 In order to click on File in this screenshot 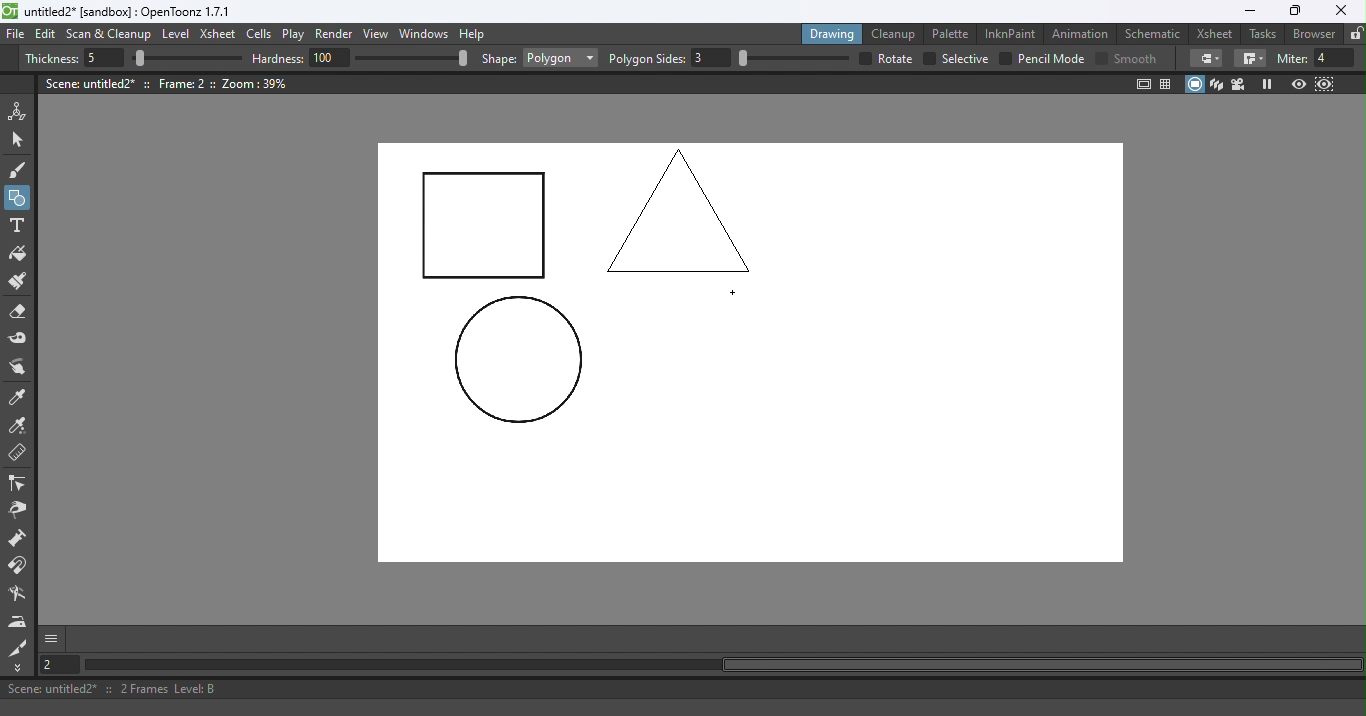, I will do `click(16, 35)`.